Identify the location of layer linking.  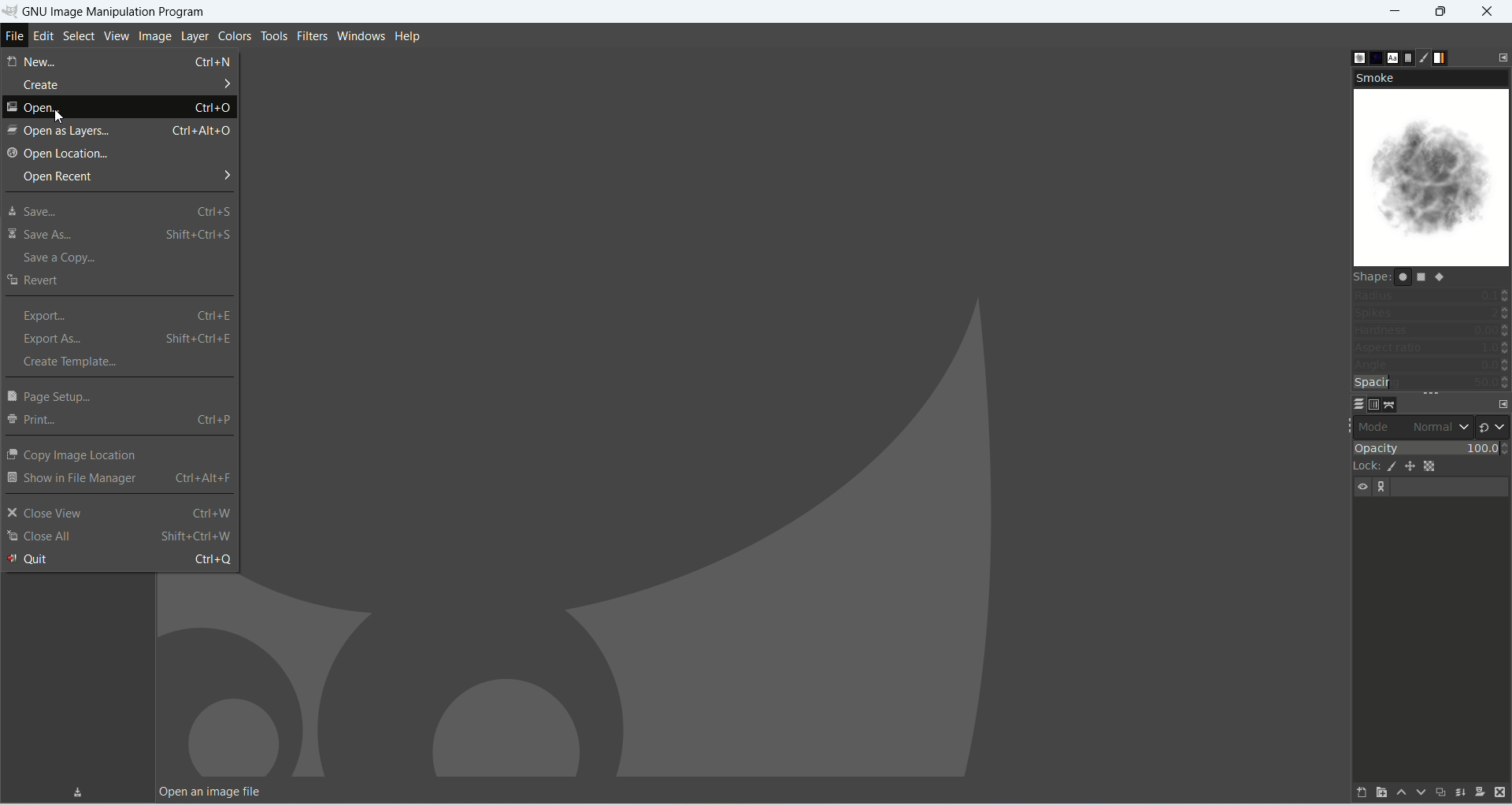
(1385, 488).